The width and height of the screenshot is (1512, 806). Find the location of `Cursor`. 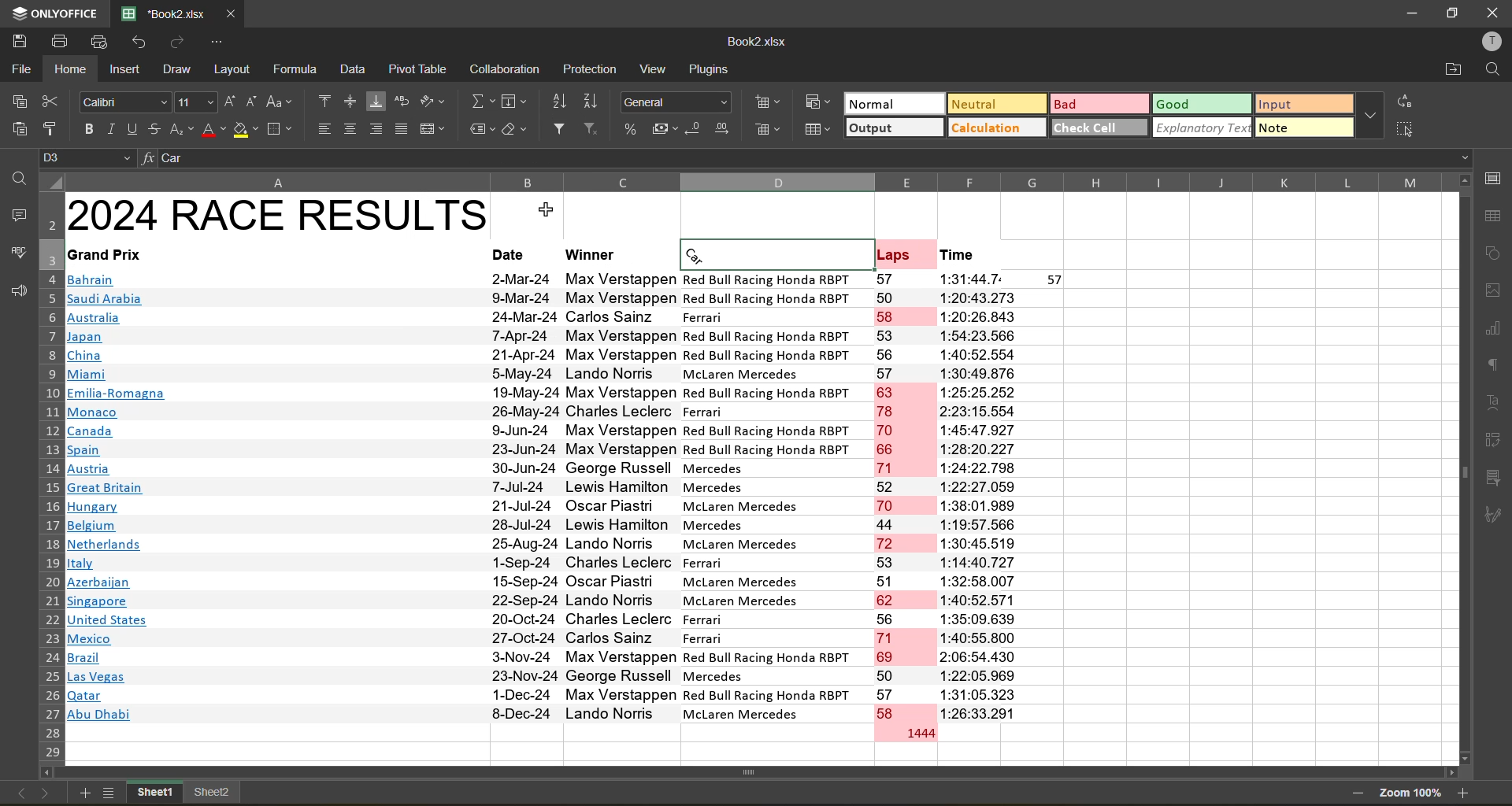

Cursor is located at coordinates (546, 210).